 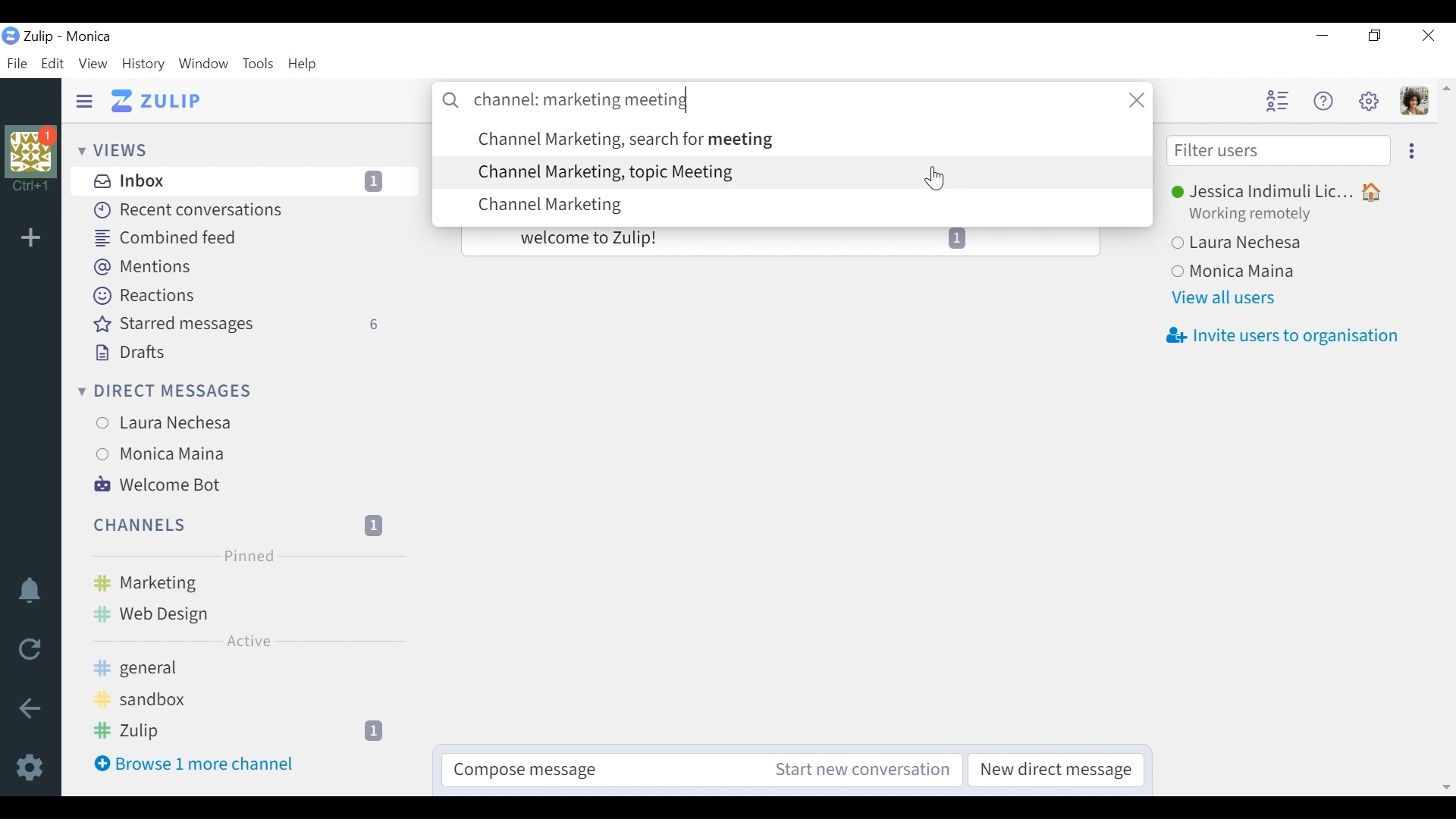 What do you see at coordinates (303, 64) in the screenshot?
I see `Help` at bounding box center [303, 64].